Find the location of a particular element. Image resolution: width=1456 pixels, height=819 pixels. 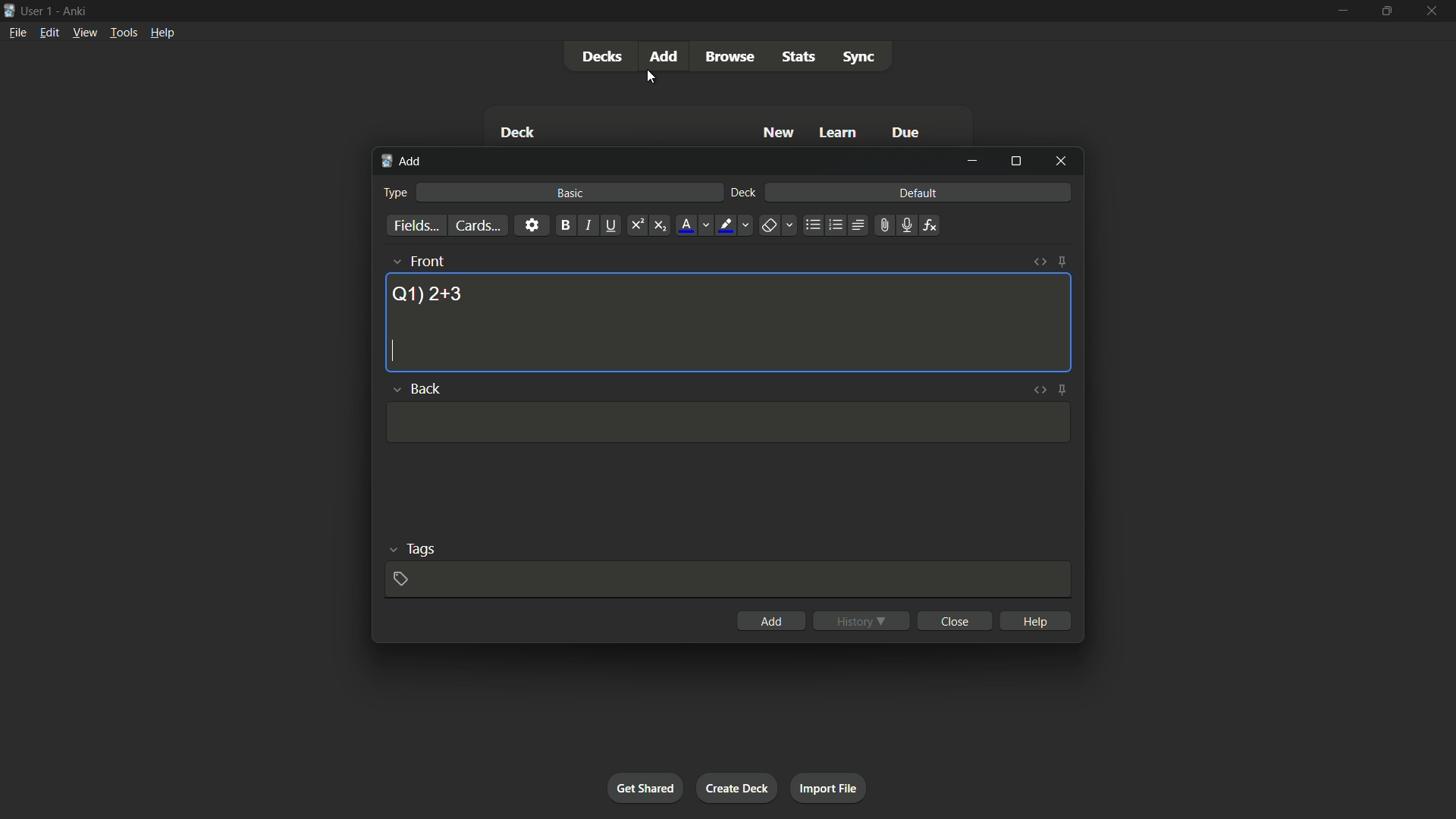

app name is located at coordinates (74, 9).